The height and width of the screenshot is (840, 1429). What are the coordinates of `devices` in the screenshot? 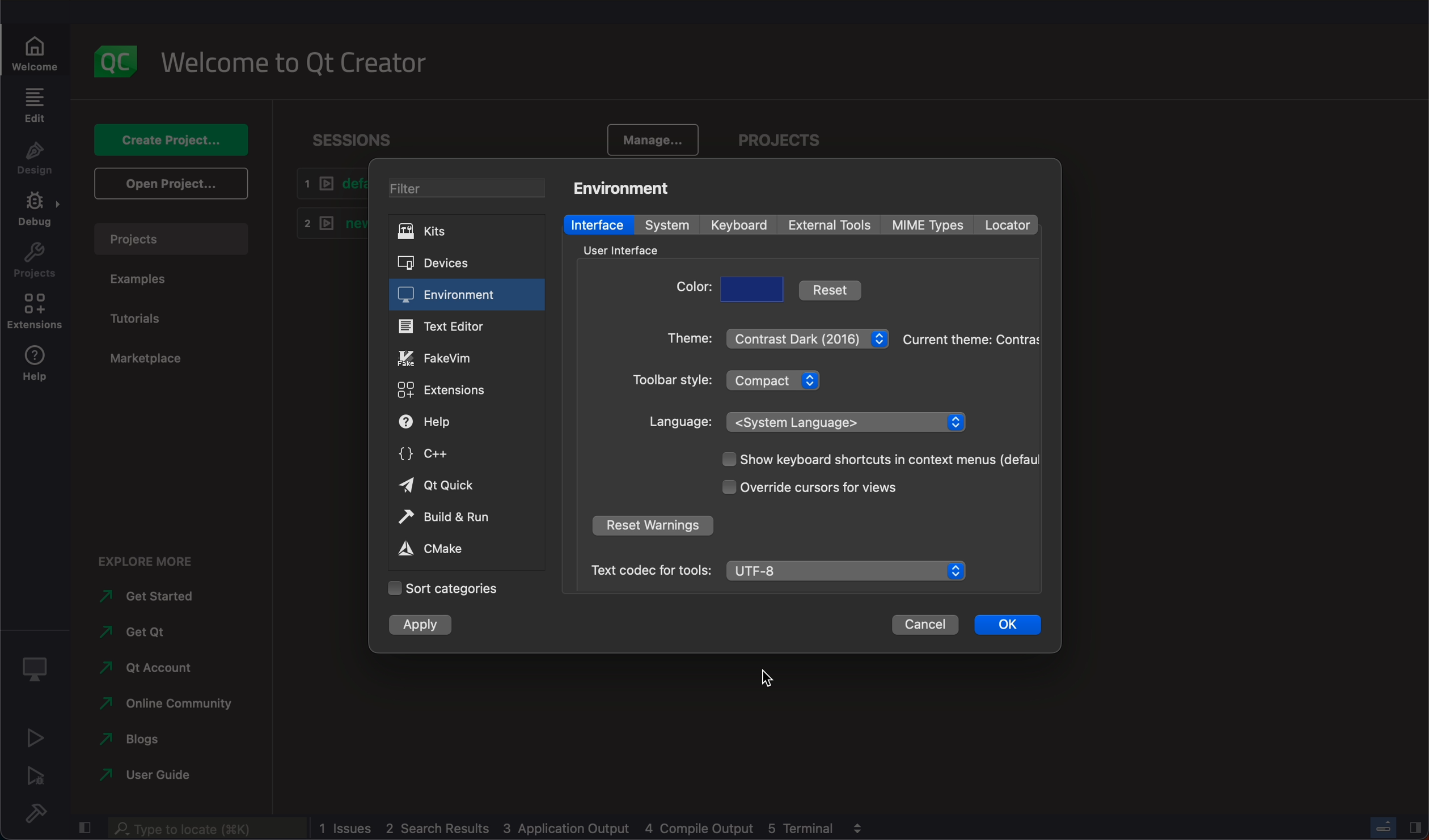 It's located at (455, 261).